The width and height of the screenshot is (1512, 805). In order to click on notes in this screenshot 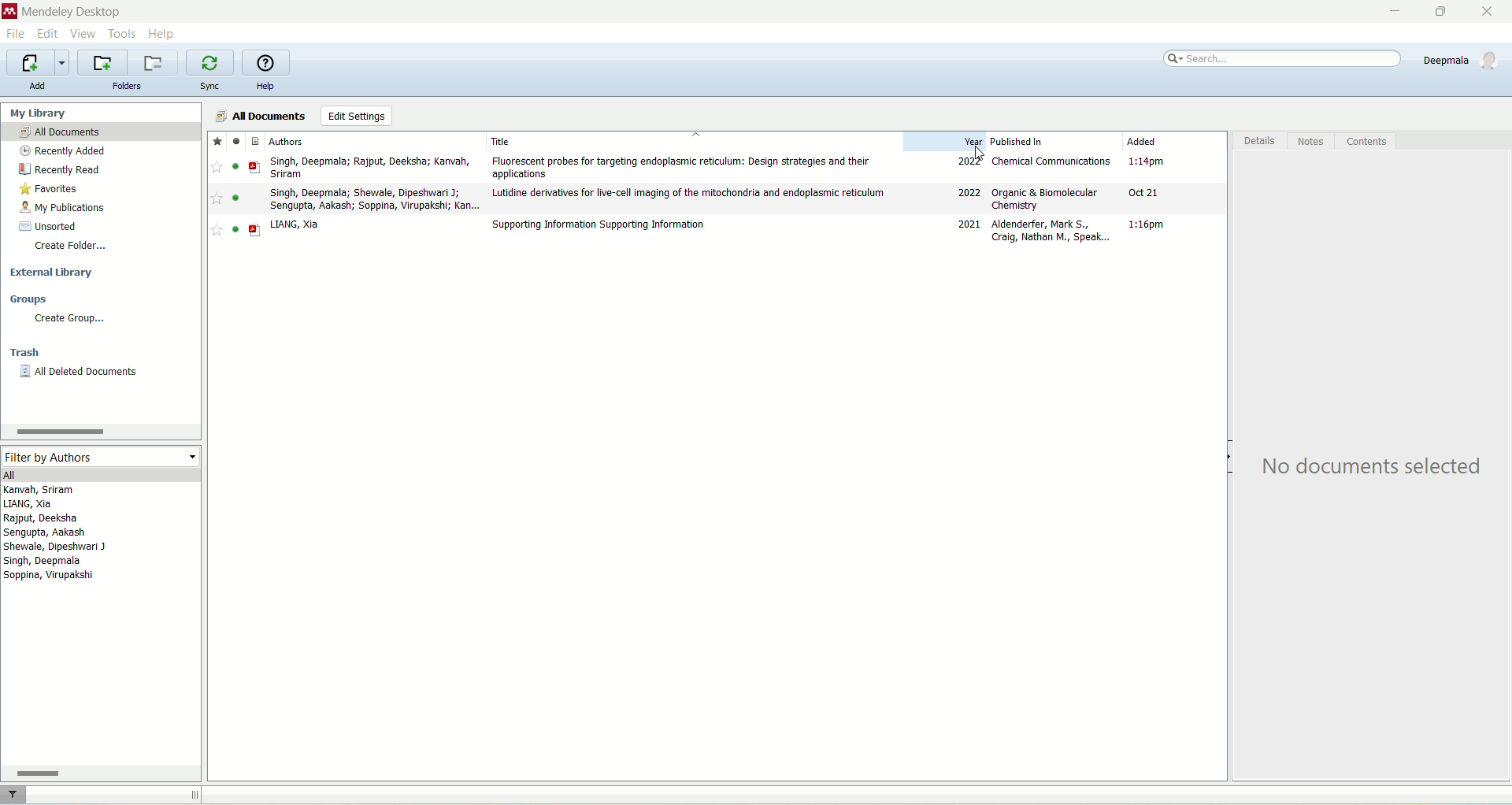, I will do `click(1316, 143)`.